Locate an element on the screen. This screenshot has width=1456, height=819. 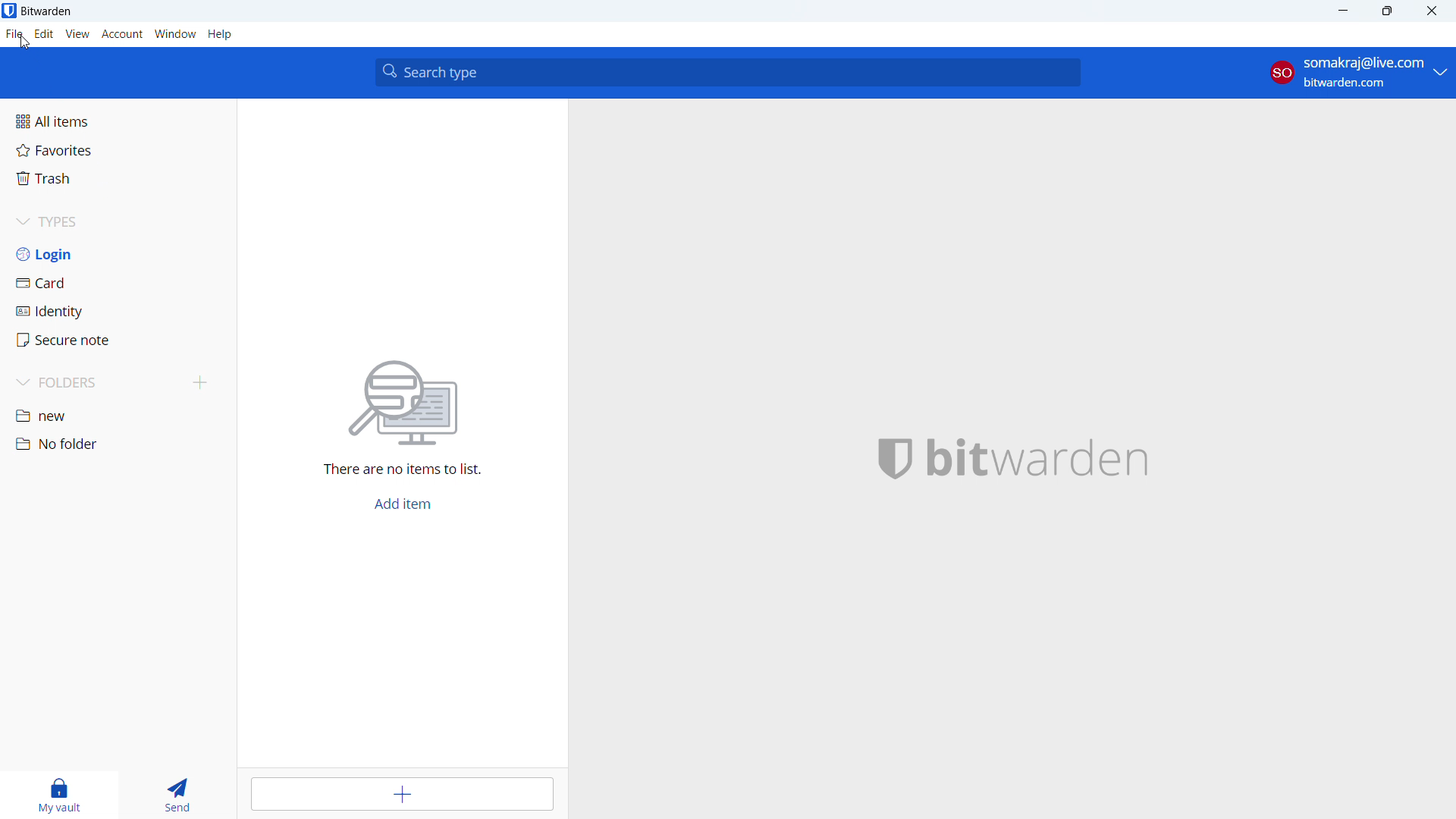
identity is located at coordinates (118, 312).